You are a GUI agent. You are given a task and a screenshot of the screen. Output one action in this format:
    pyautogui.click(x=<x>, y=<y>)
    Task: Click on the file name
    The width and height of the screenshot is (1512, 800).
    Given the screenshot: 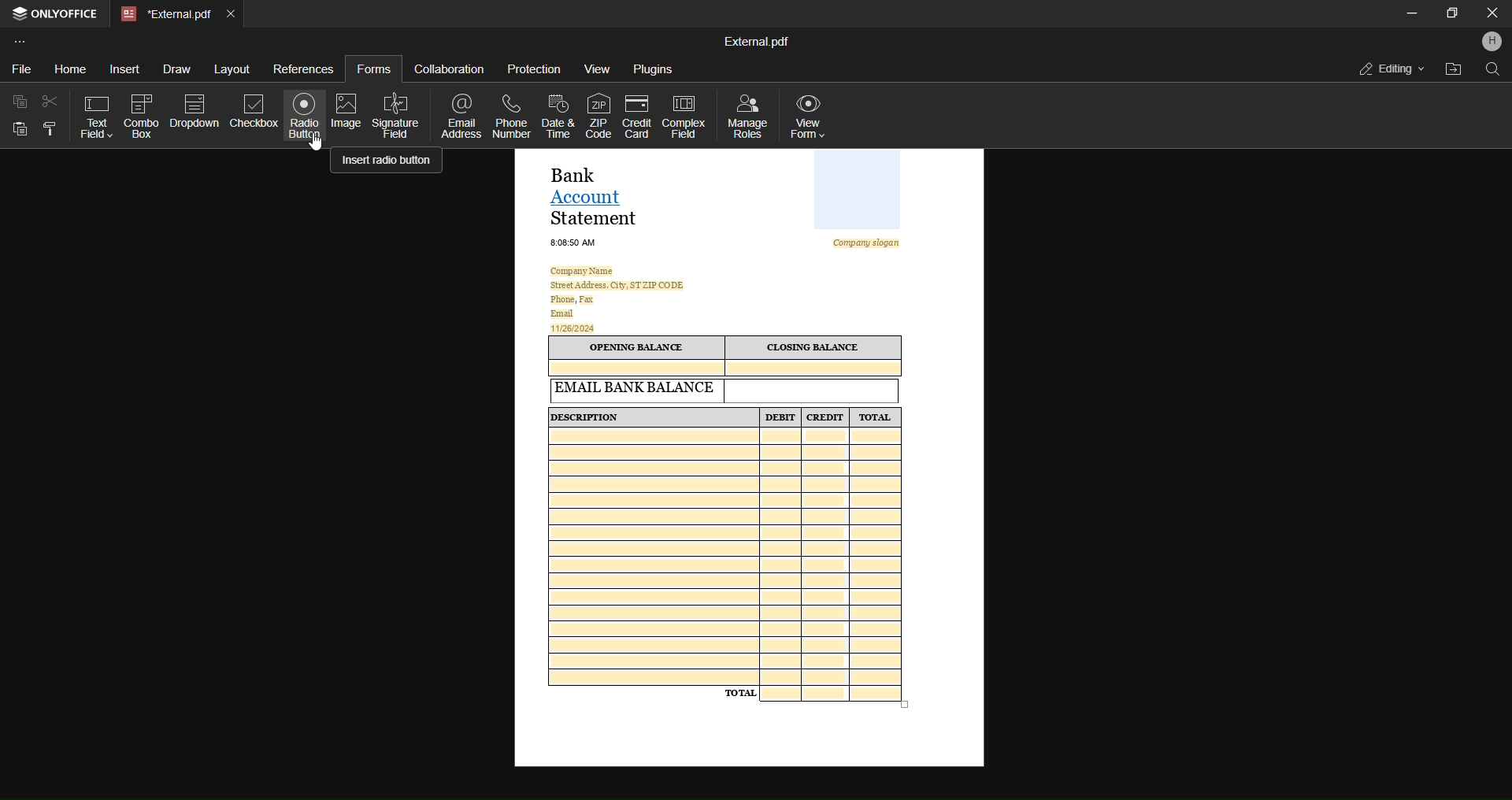 What is the action you would take?
    pyautogui.click(x=757, y=41)
    